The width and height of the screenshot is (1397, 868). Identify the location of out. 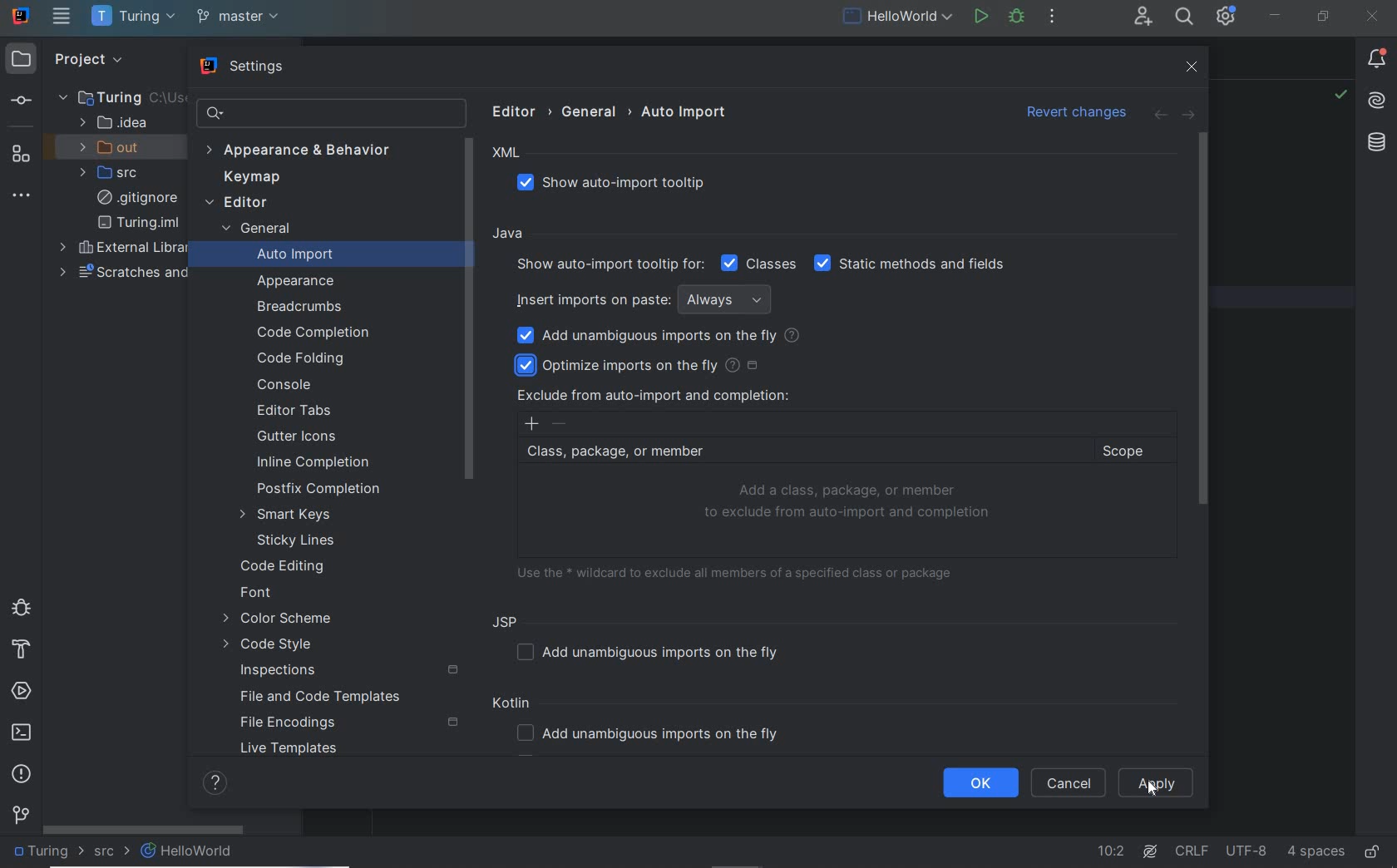
(115, 147).